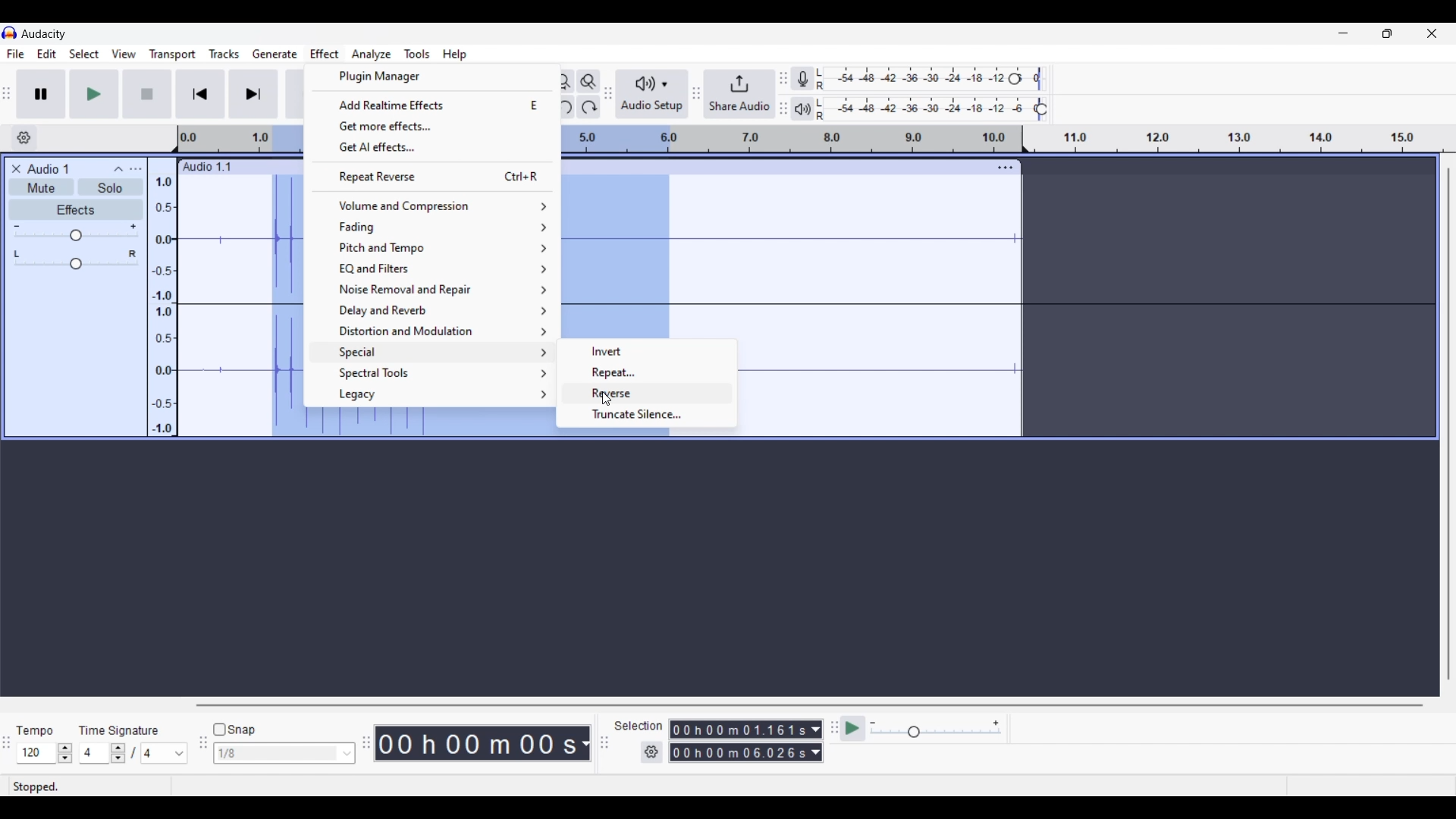 Image resolution: width=1456 pixels, height=819 pixels. Describe the element at coordinates (324, 54) in the screenshot. I see `Effect menu` at that location.